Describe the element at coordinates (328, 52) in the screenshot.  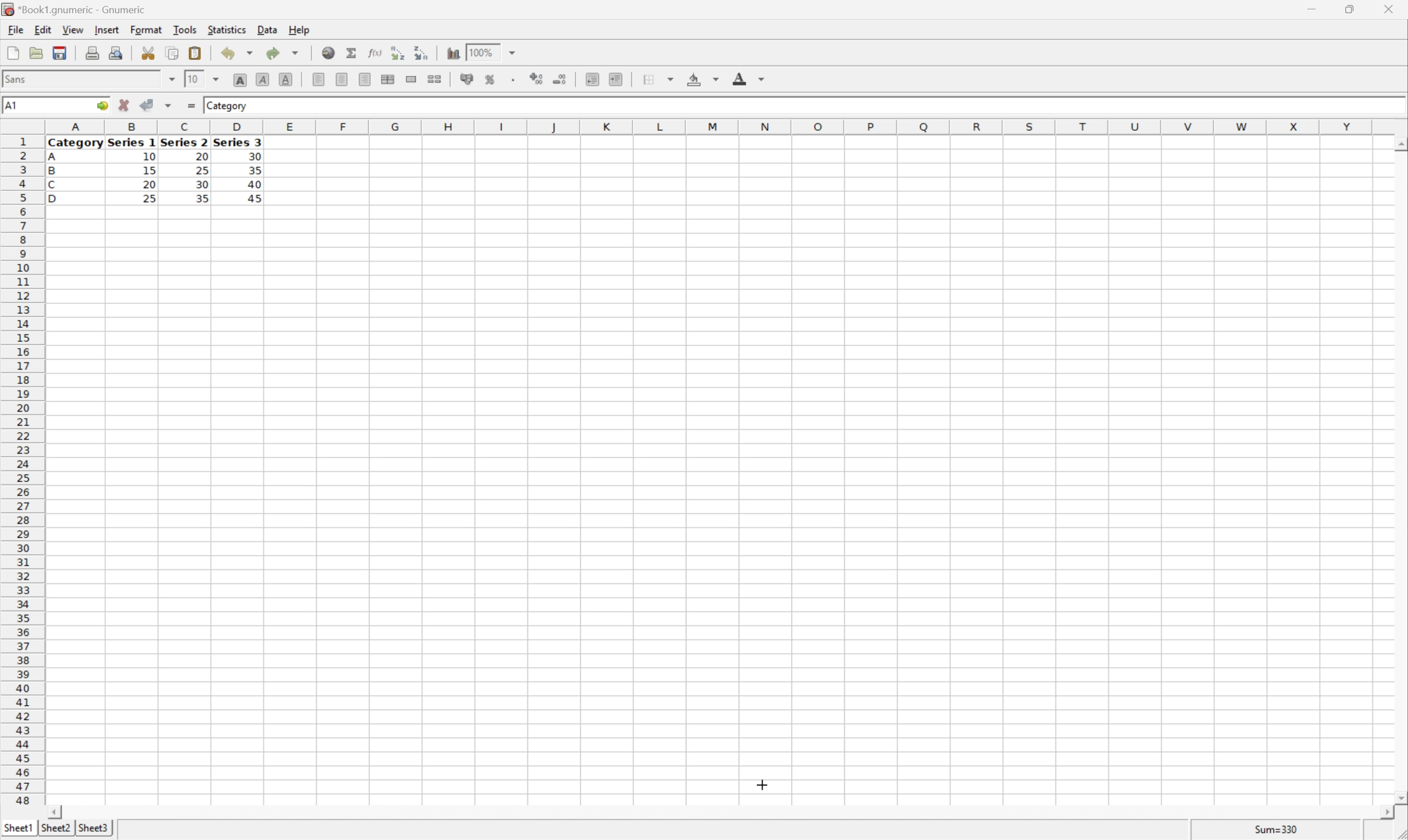
I see `Insert a hyperlink` at that location.